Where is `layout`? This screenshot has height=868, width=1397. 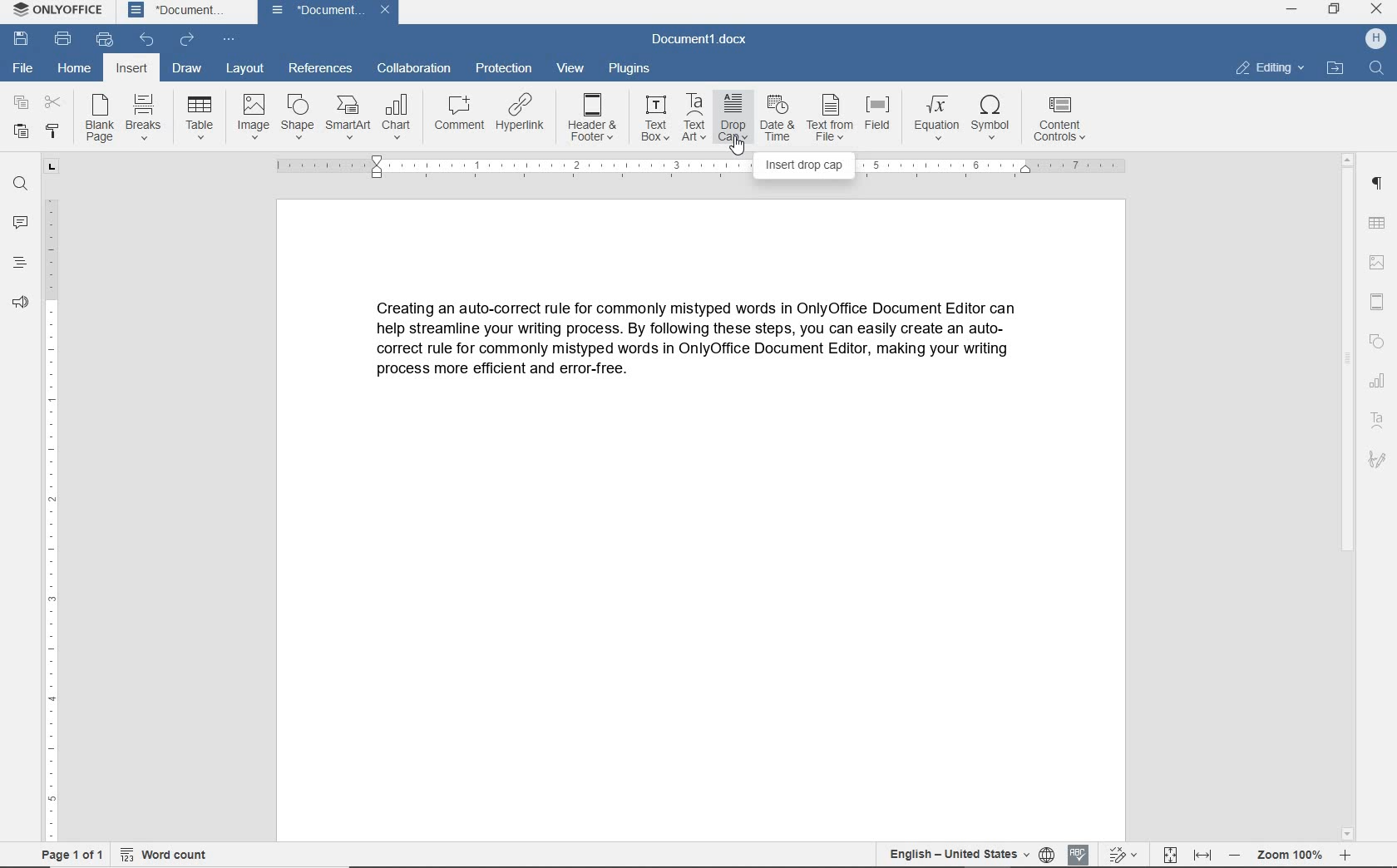 layout is located at coordinates (243, 68).